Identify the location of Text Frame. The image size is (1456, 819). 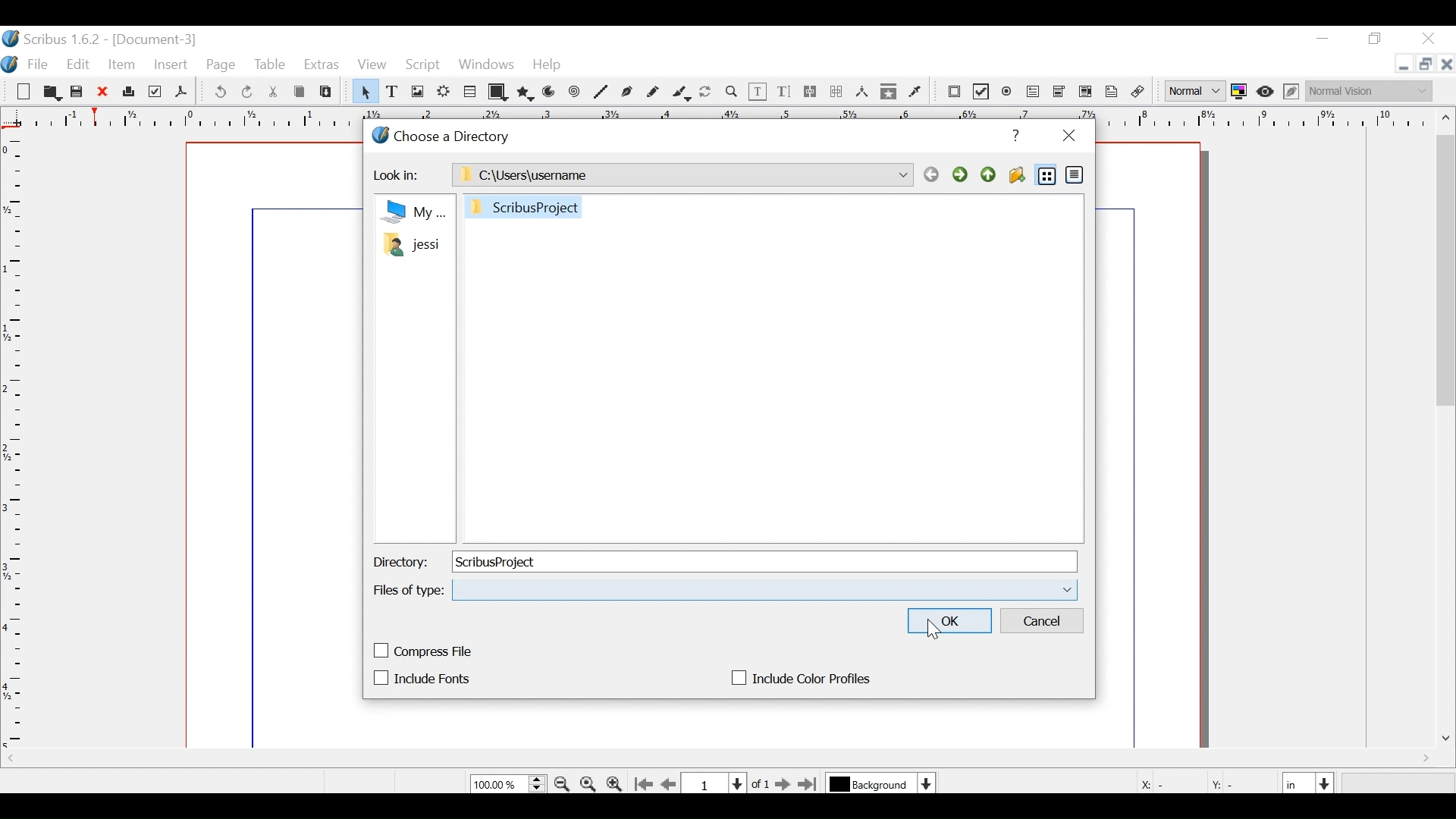
(393, 91).